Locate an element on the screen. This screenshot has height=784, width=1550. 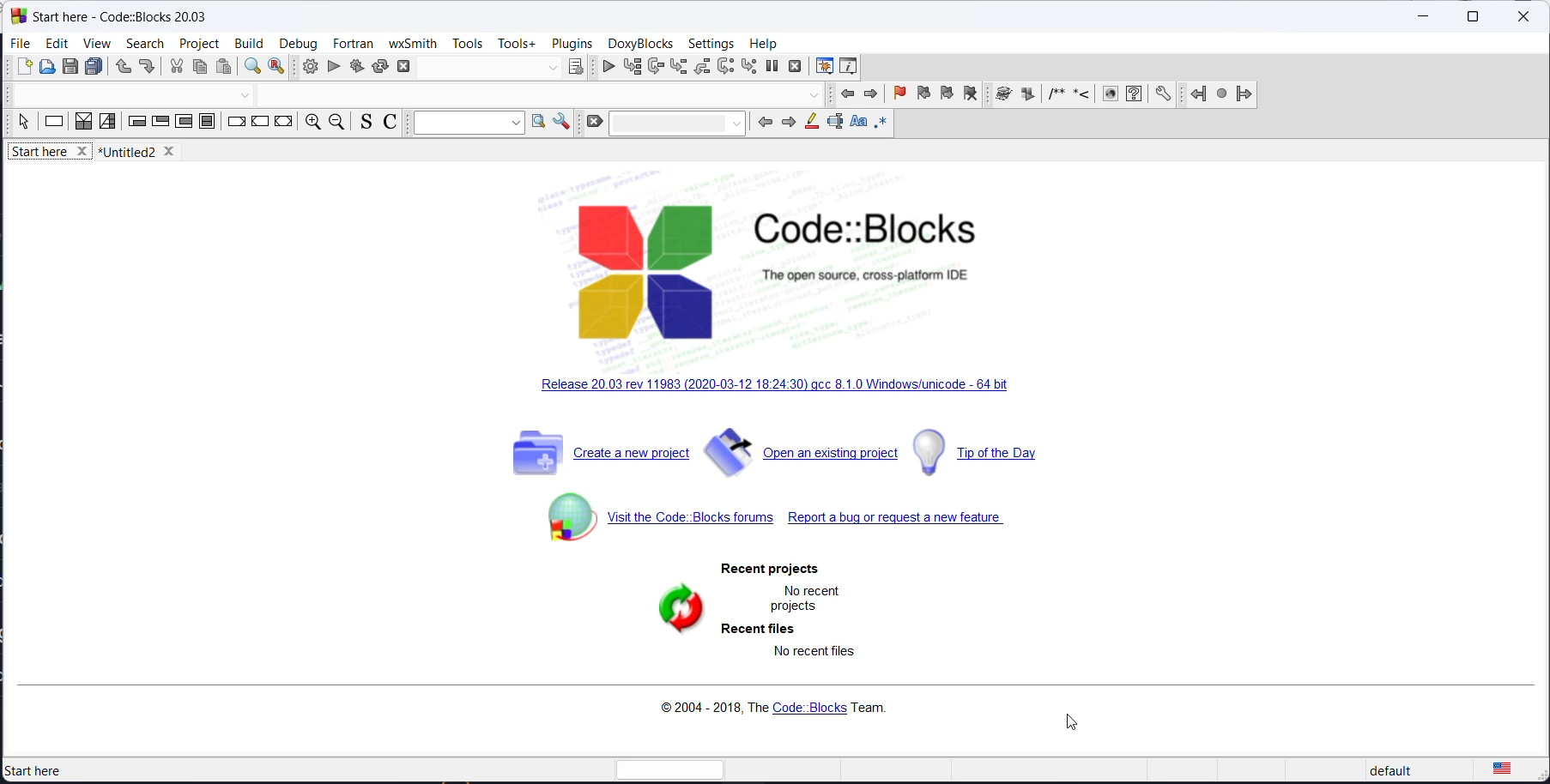
debug/continue is located at coordinates (604, 68).